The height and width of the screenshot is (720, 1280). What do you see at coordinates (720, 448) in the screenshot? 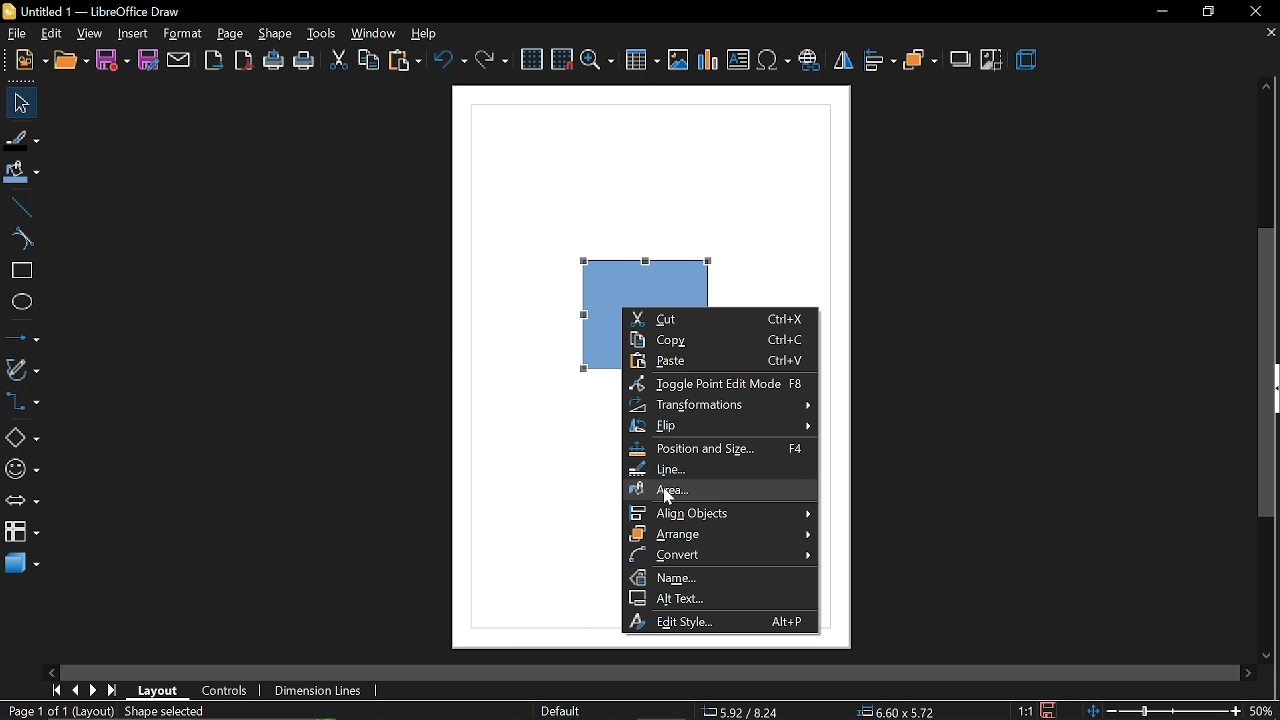
I see `position and size` at bounding box center [720, 448].